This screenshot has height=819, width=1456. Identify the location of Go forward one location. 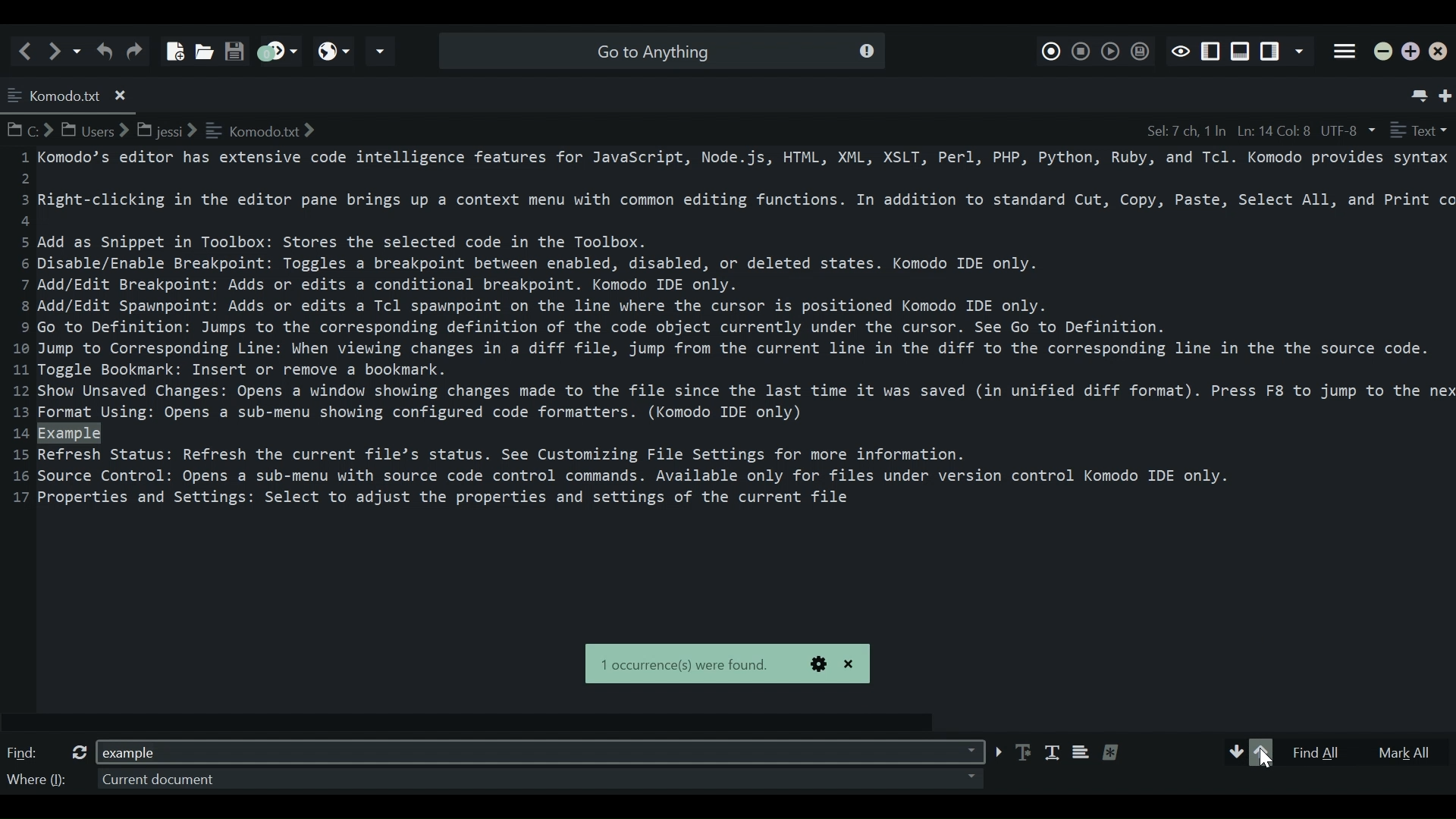
(57, 50).